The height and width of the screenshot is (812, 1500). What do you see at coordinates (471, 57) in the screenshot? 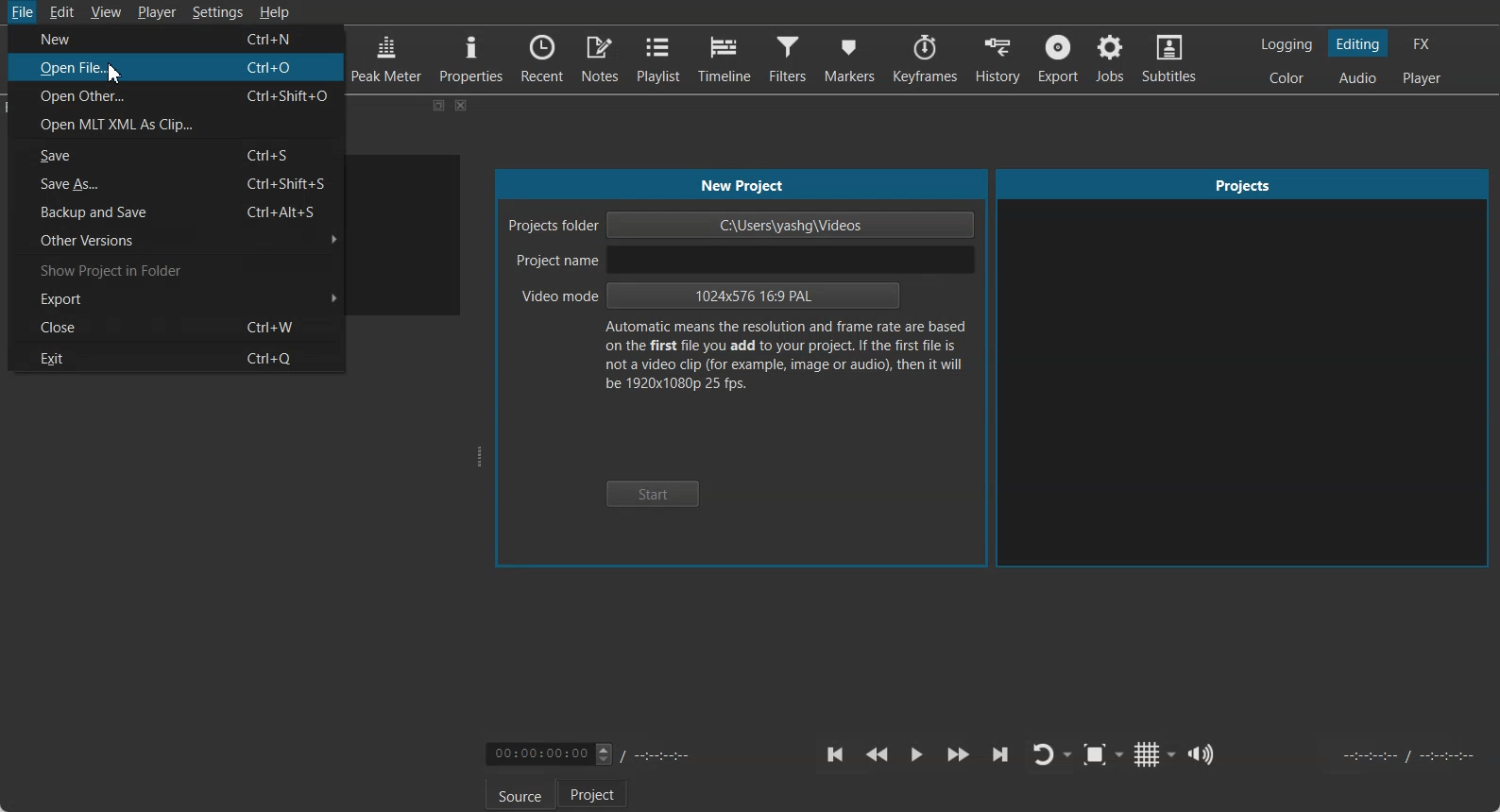
I see `Properties` at bounding box center [471, 57].